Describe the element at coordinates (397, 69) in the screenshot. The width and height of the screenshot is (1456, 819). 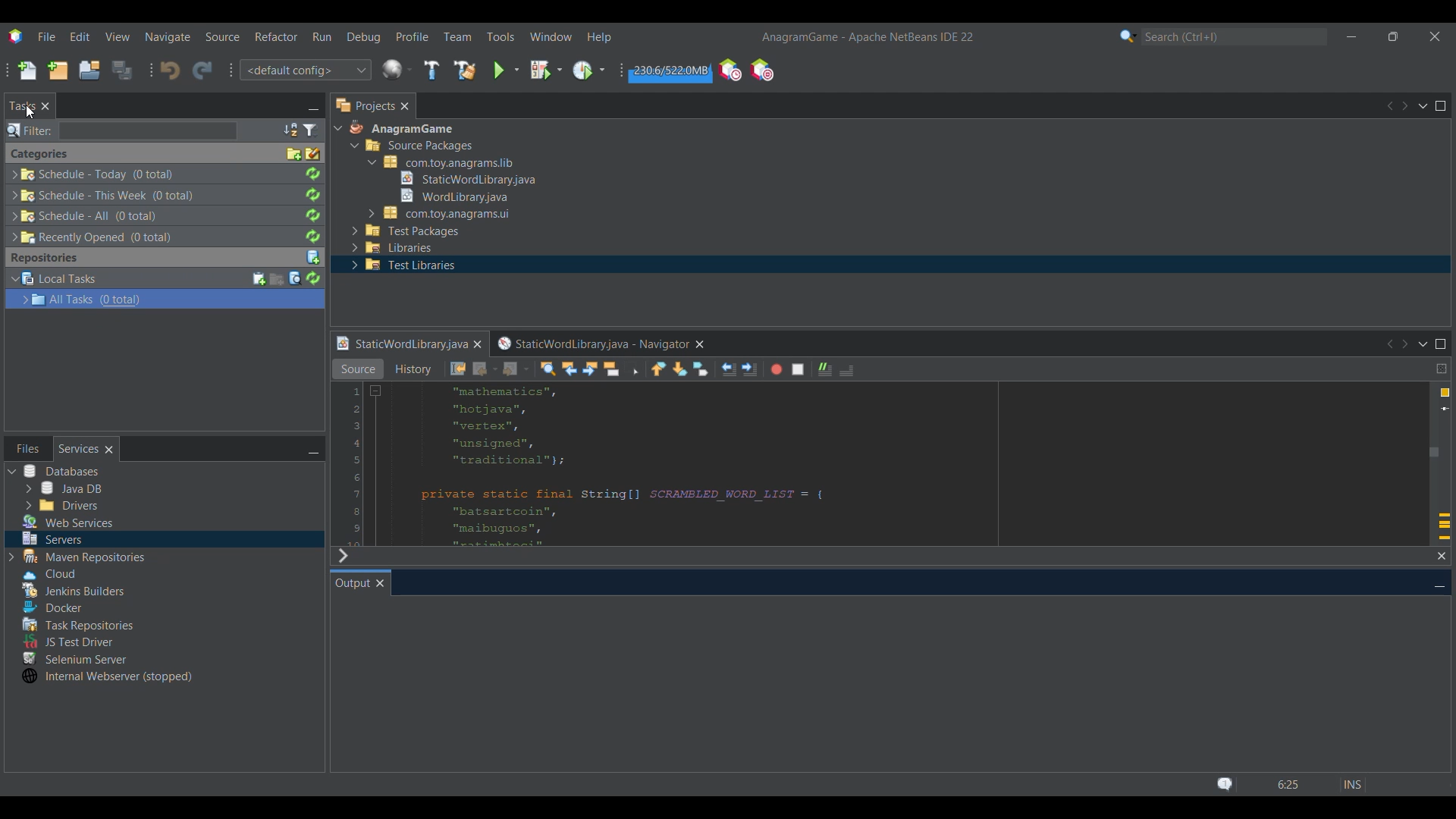
I see `Globe icon` at that location.